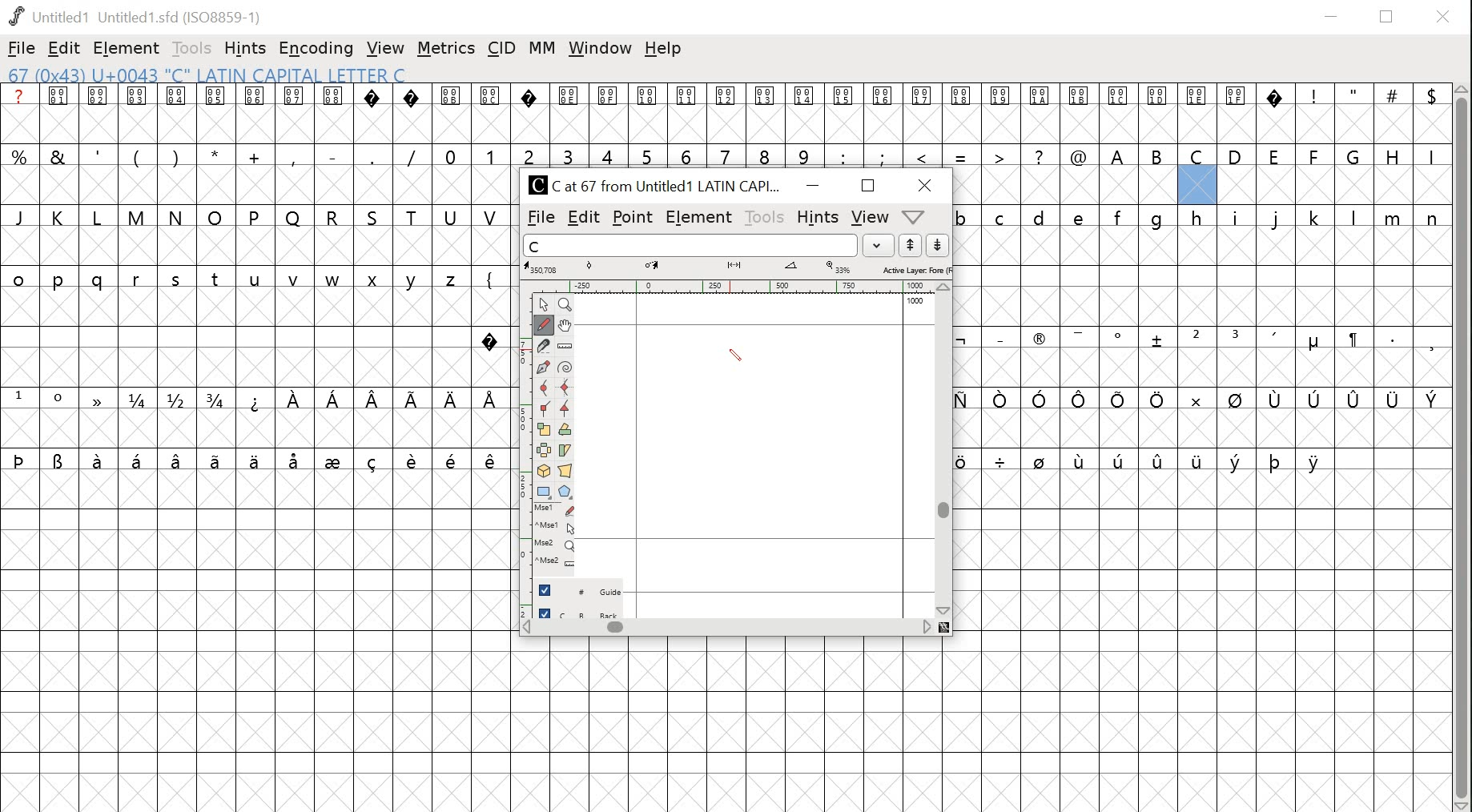 The height and width of the screenshot is (812, 1472). What do you see at coordinates (700, 215) in the screenshot?
I see `element` at bounding box center [700, 215].